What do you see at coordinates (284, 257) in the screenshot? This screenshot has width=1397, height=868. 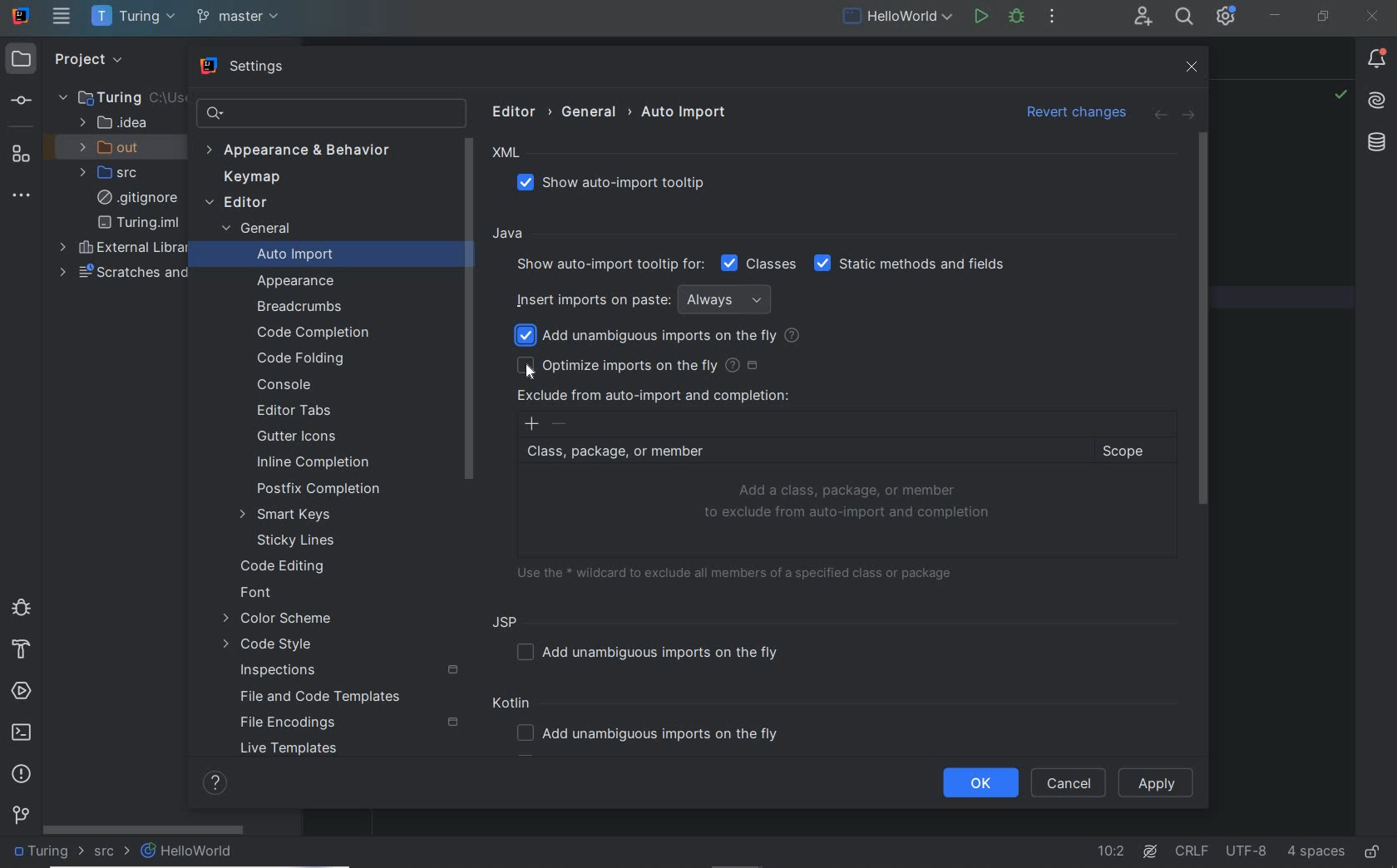 I see `AUTO IMPORT` at bounding box center [284, 257].